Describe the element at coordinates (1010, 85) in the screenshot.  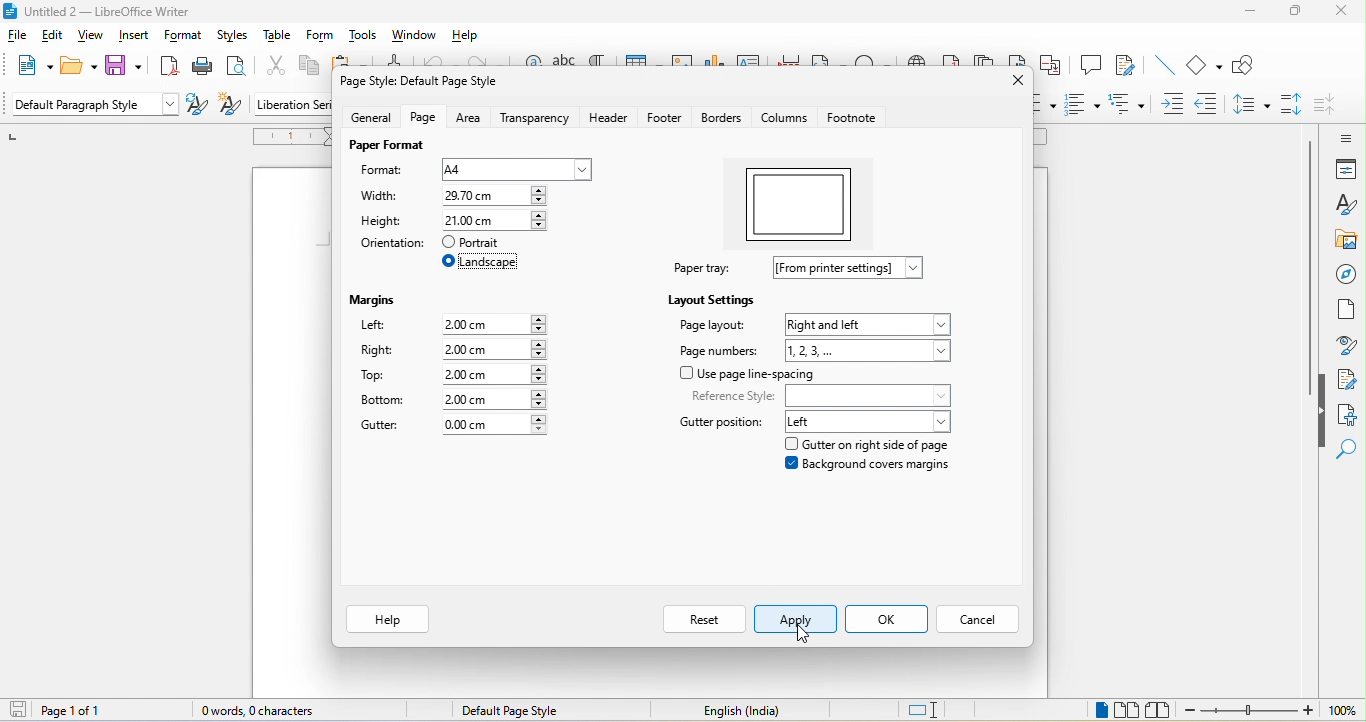
I see `close` at that location.